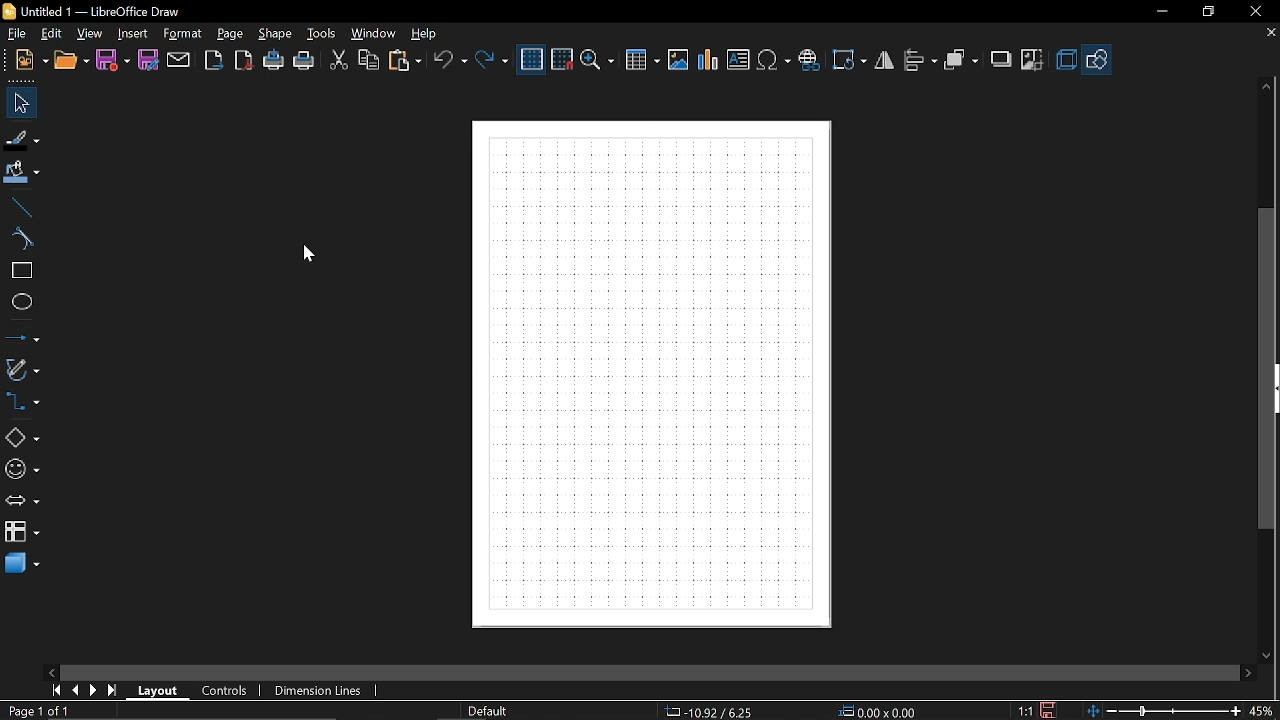  Describe the element at coordinates (21, 271) in the screenshot. I see `rectangle` at that location.